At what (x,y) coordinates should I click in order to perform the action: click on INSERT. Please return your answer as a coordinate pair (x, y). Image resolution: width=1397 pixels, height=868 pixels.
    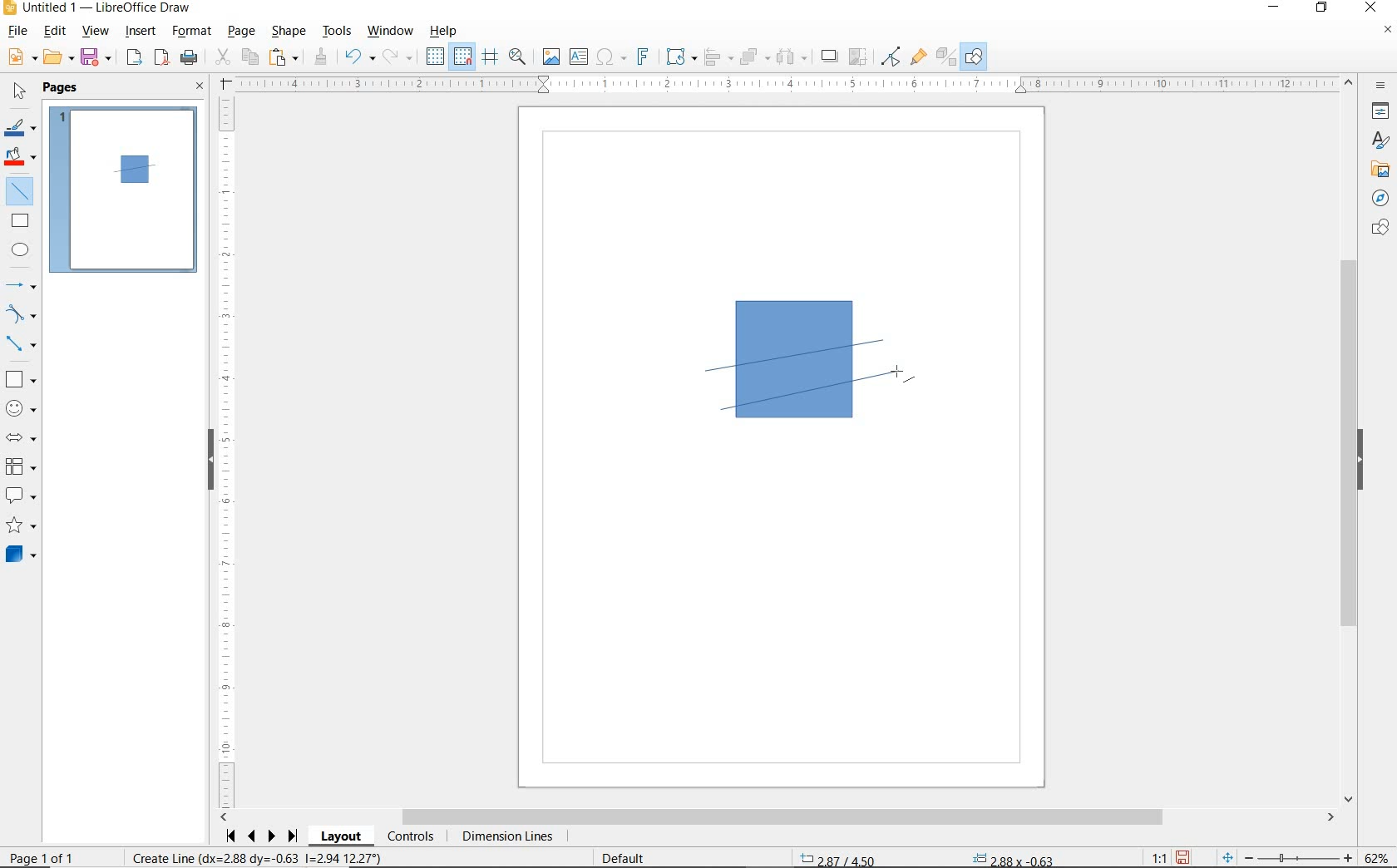
    Looking at the image, I should click on (141, 32).